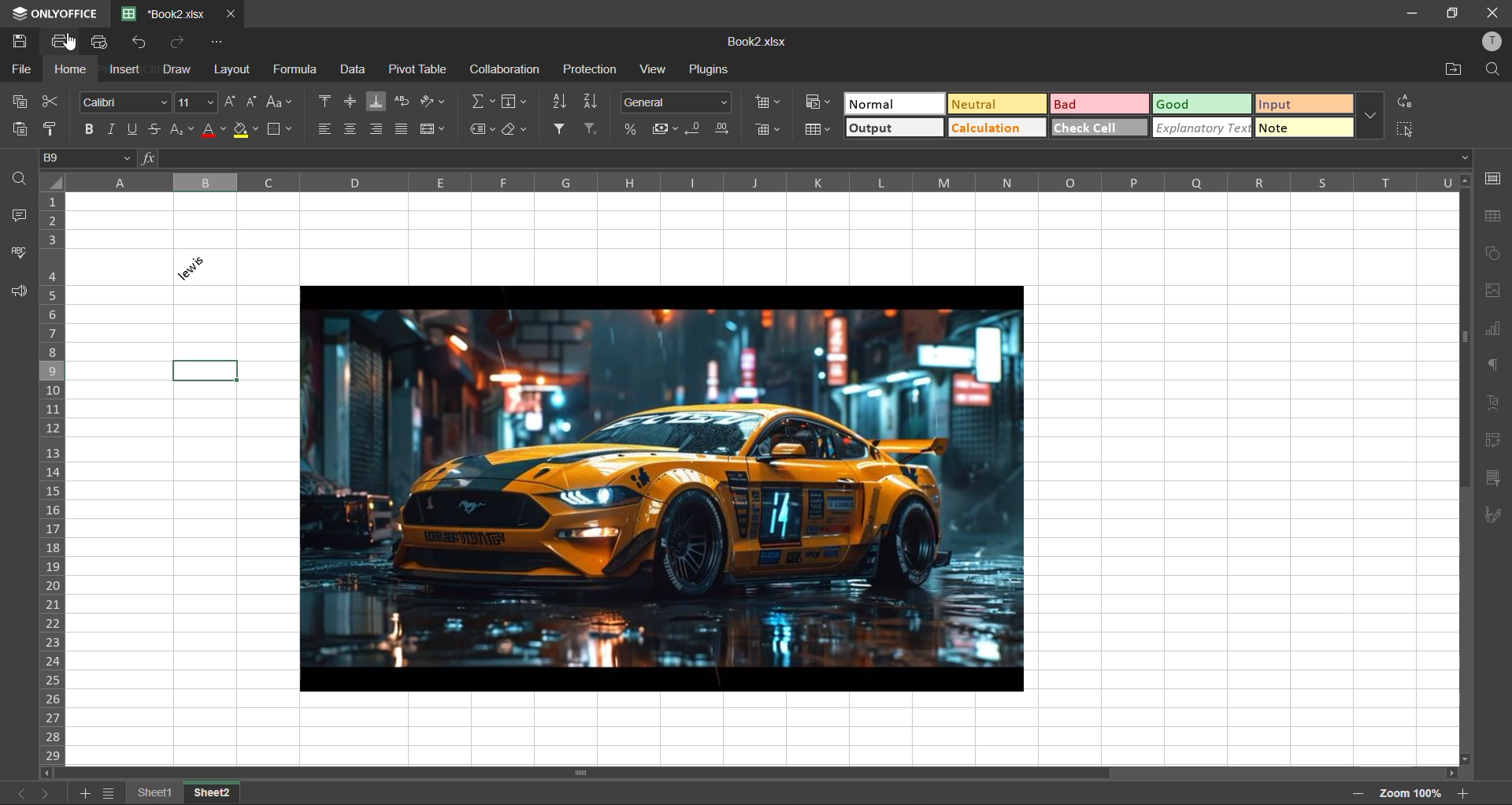  Describe the element at coordinates (508, 70) in the screenshot. I see `collaboration` at that location.